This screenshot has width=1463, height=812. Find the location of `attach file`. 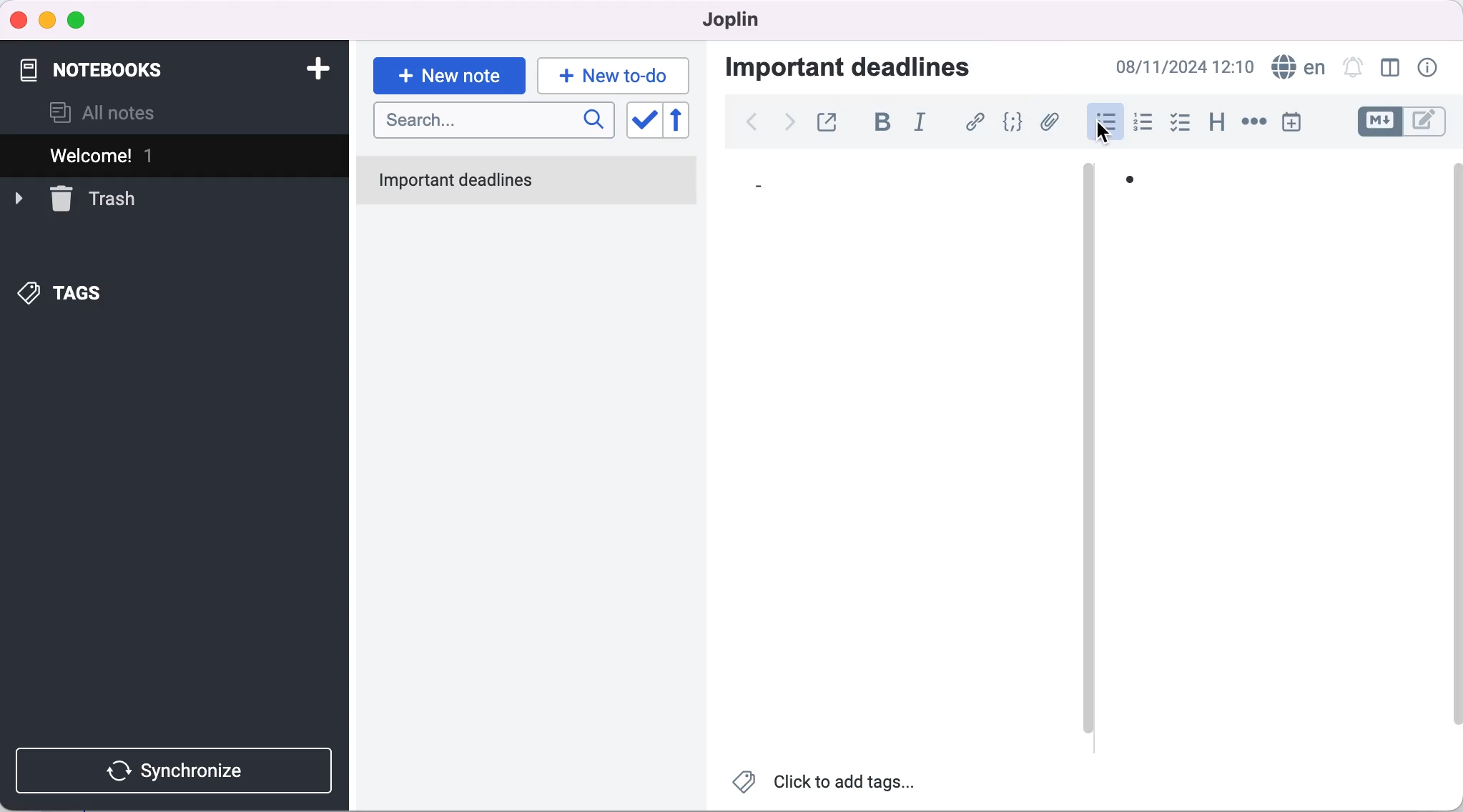

attach file is located at coordinates (1049, 122).